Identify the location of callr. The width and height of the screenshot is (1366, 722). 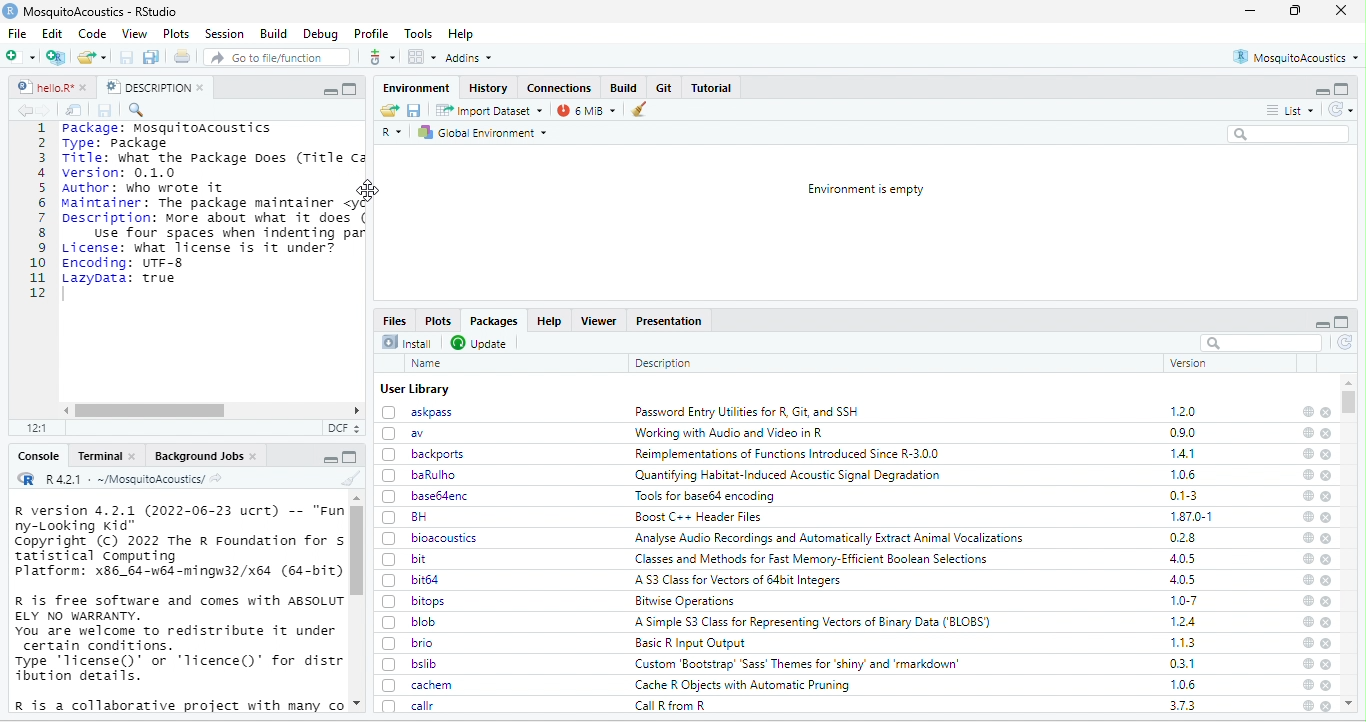
(410, 705).